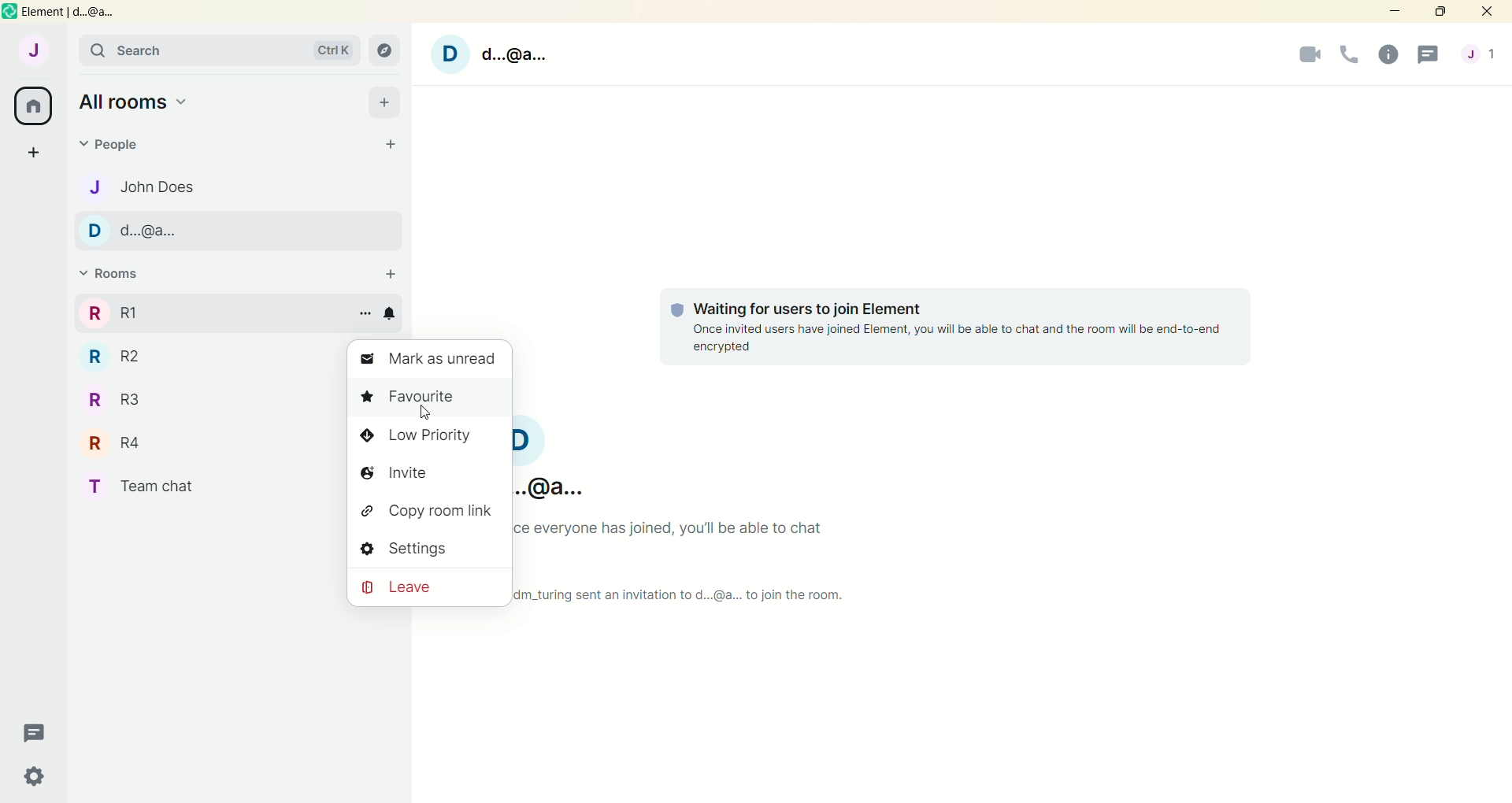  Describe the element at coordinates (1350, 54) in the screenshot. I see `Calling ` at that location.